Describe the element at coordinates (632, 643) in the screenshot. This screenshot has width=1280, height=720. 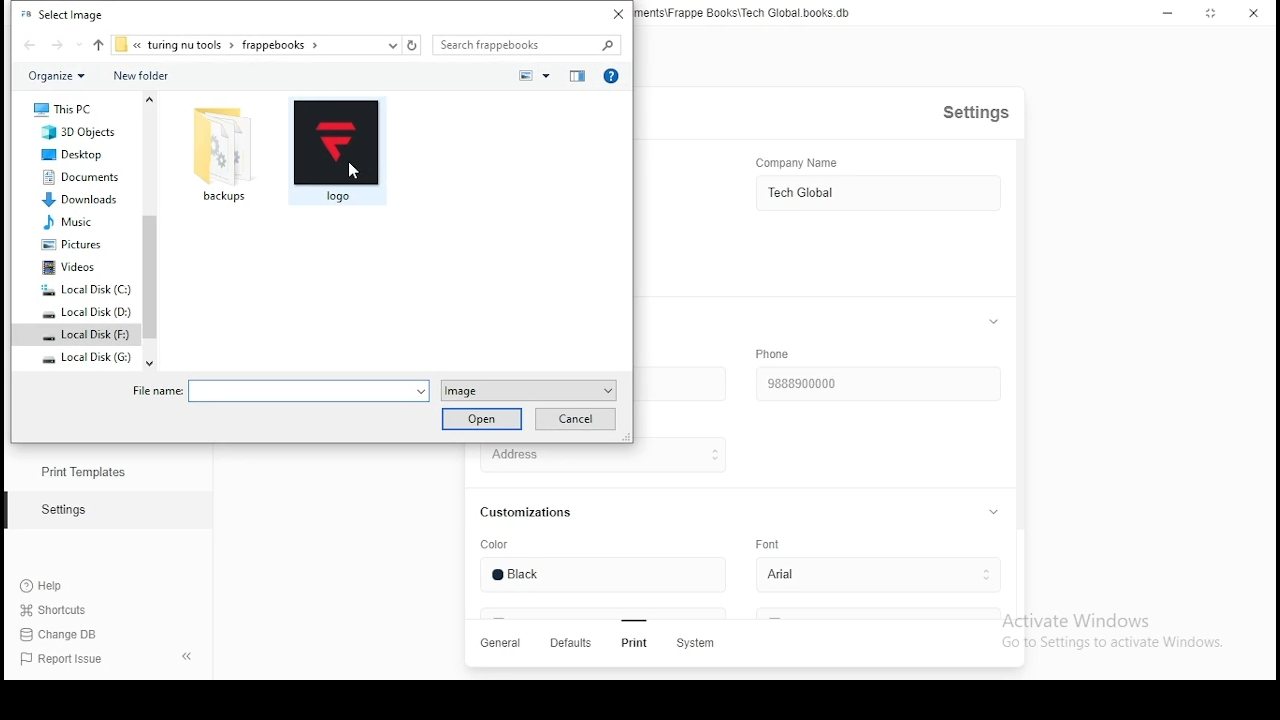
I see `Print ` at that location.